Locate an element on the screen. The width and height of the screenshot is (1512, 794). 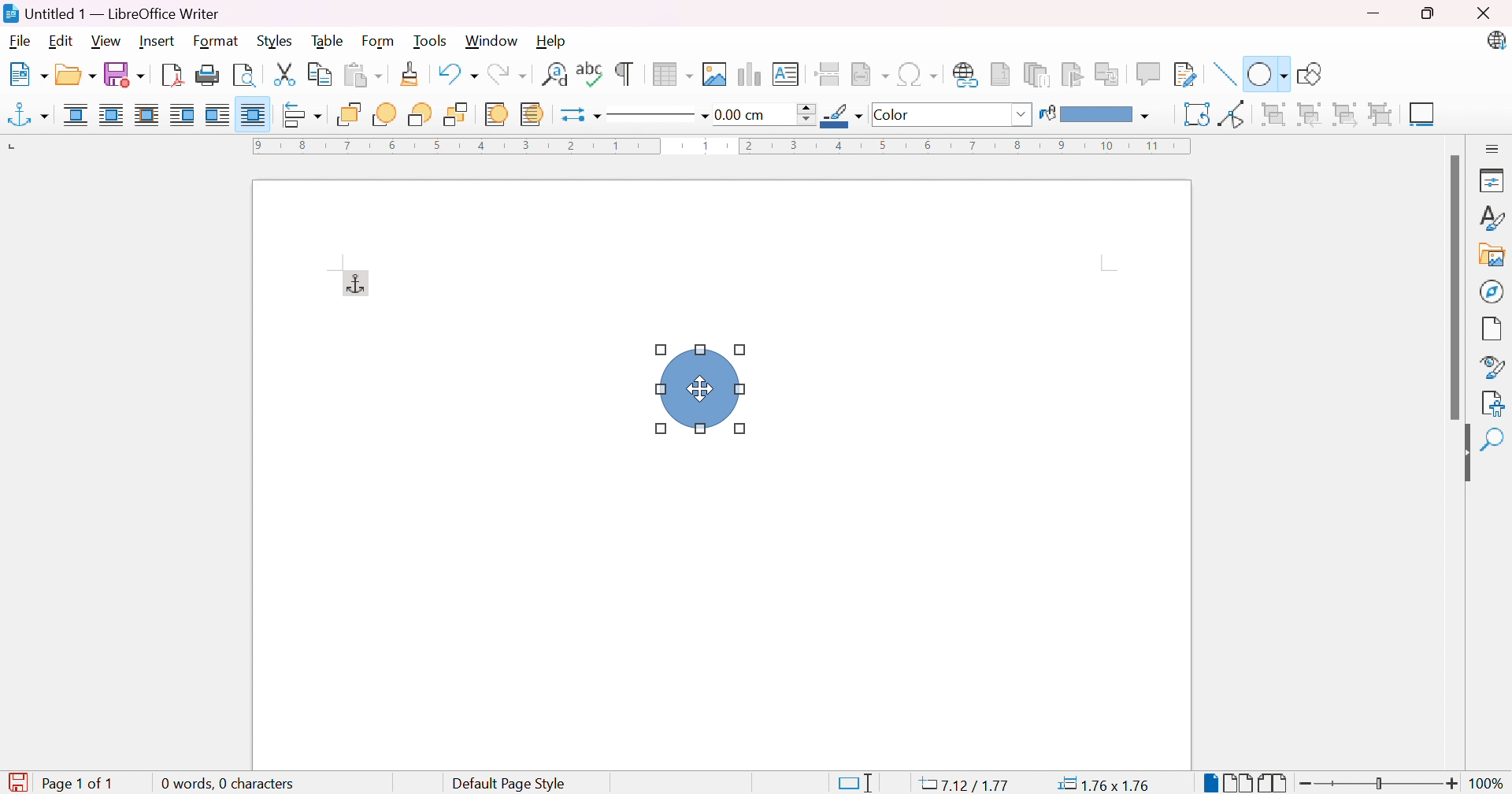
Redo is located at coordinates (508, 74).